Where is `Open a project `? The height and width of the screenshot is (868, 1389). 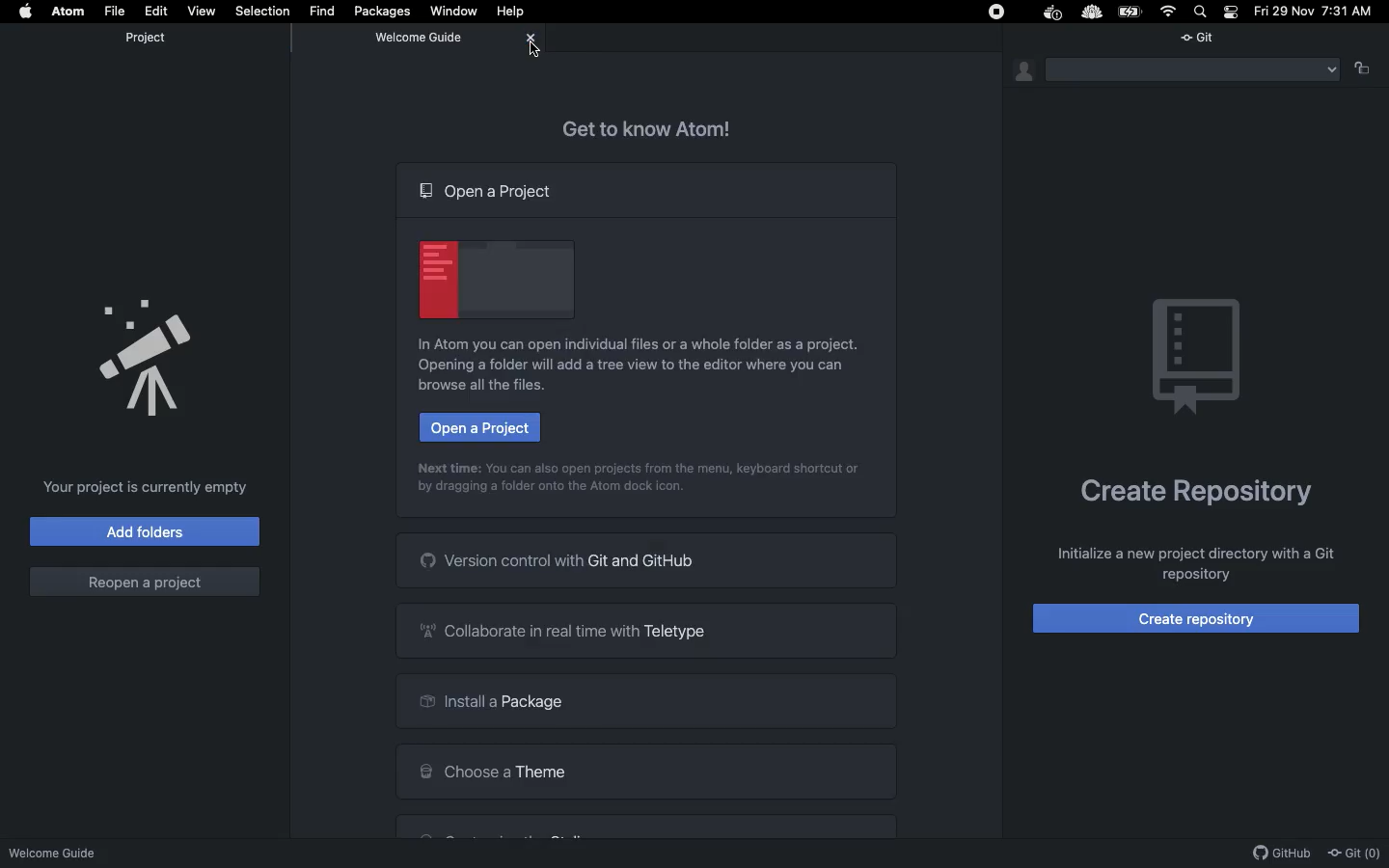 Open a project  is located at coordinates (483, 426).